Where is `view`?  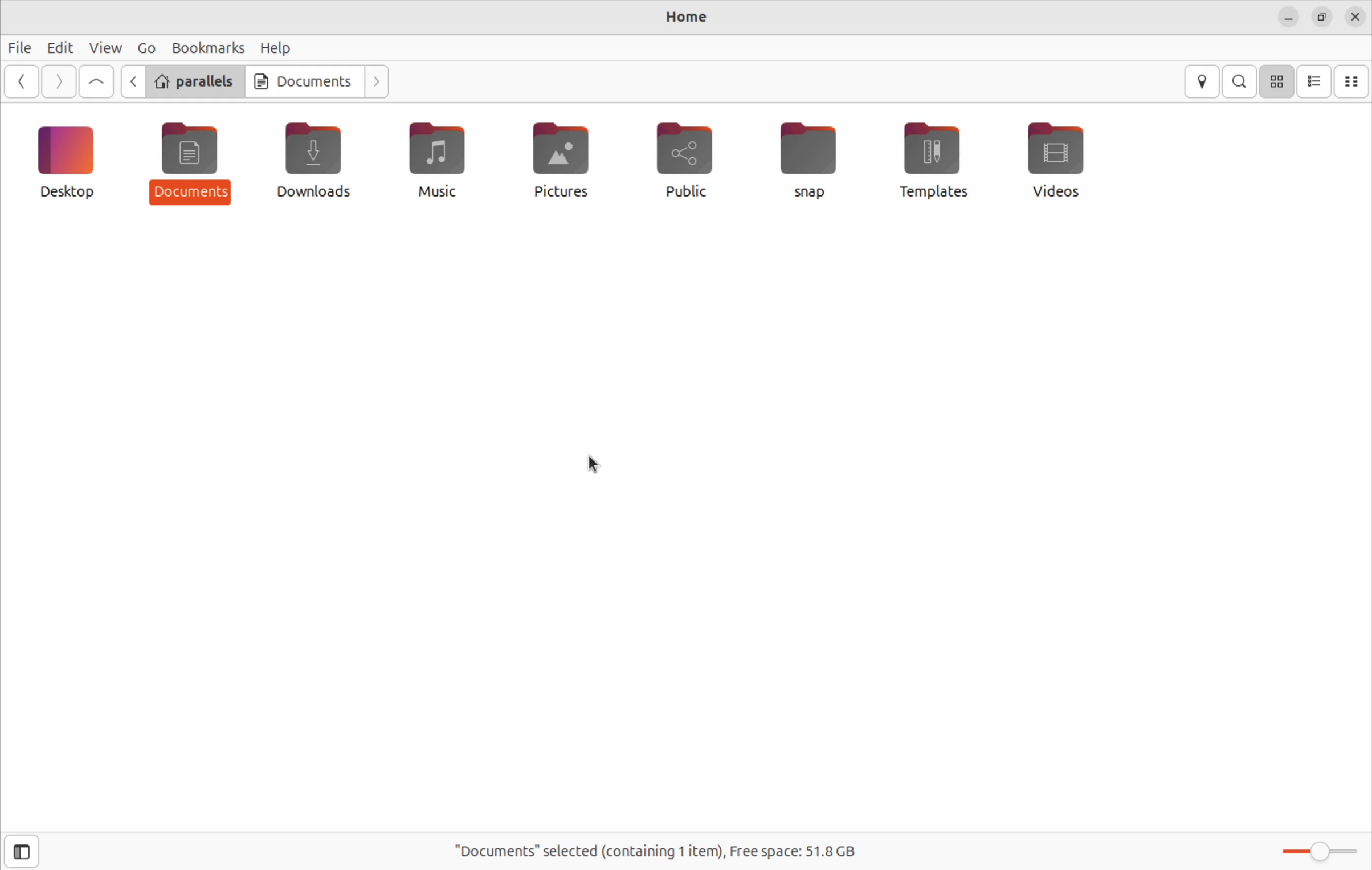
view is located at coordinates (105, 47).